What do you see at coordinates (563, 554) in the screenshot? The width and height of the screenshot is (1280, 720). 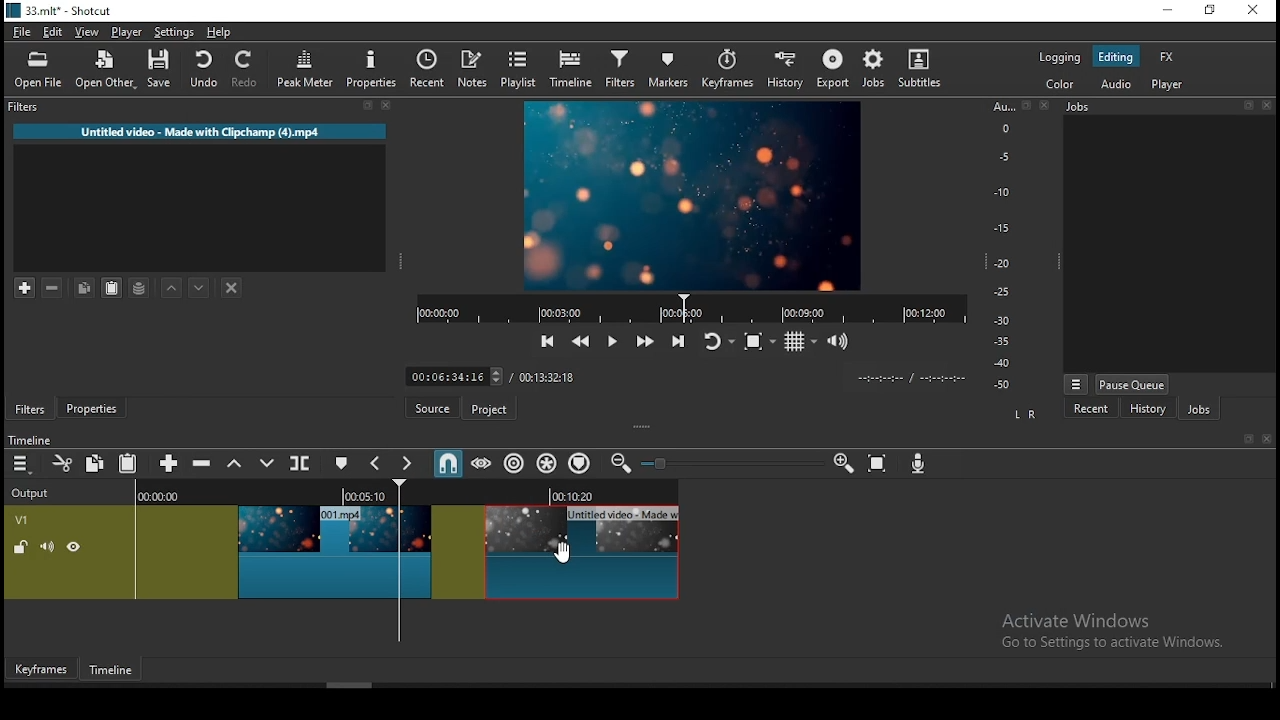 I see `cursor` at bounding box center [563, 554].